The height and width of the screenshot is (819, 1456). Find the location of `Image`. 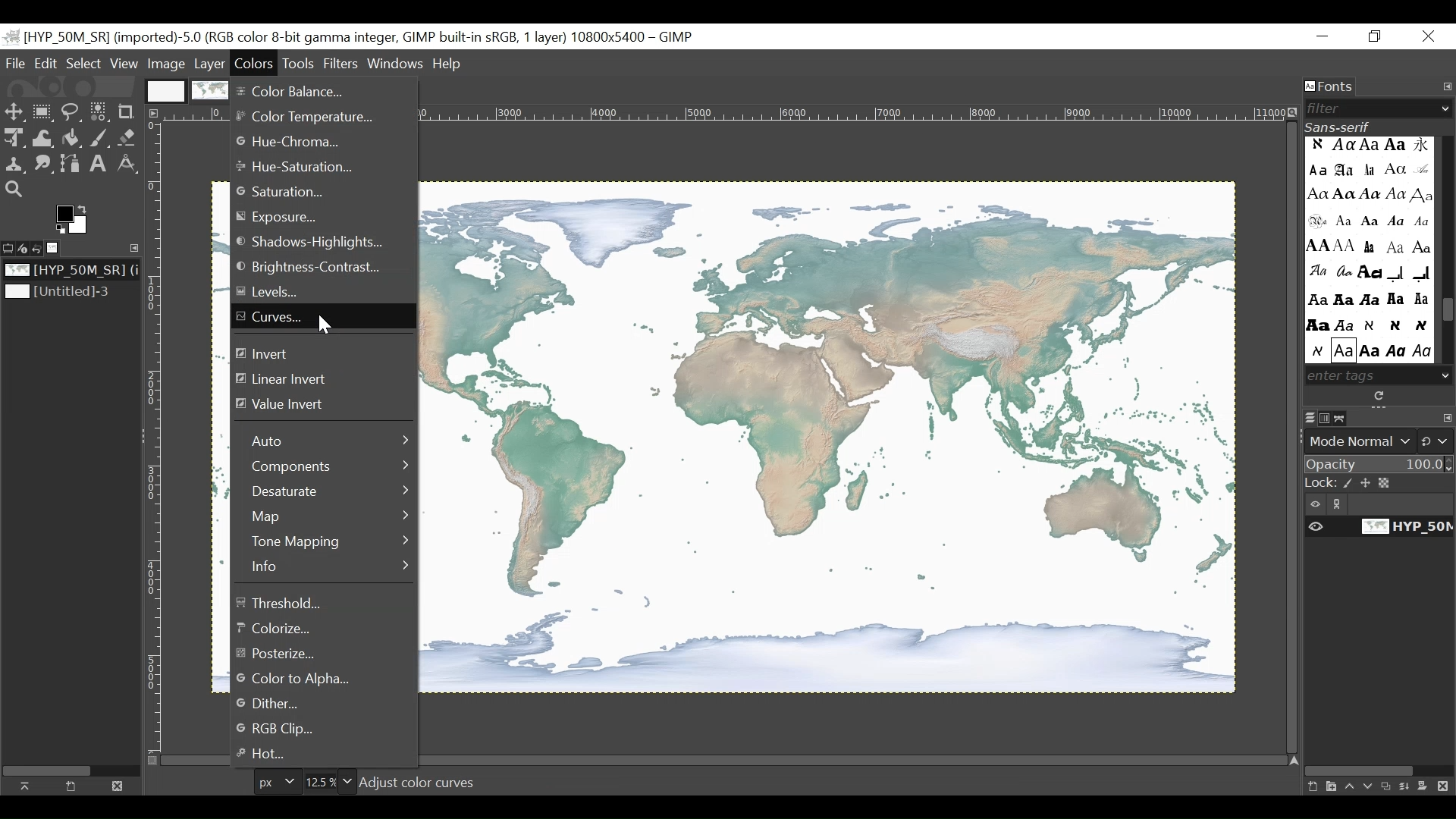

Image is located at coordinates (69, 271).